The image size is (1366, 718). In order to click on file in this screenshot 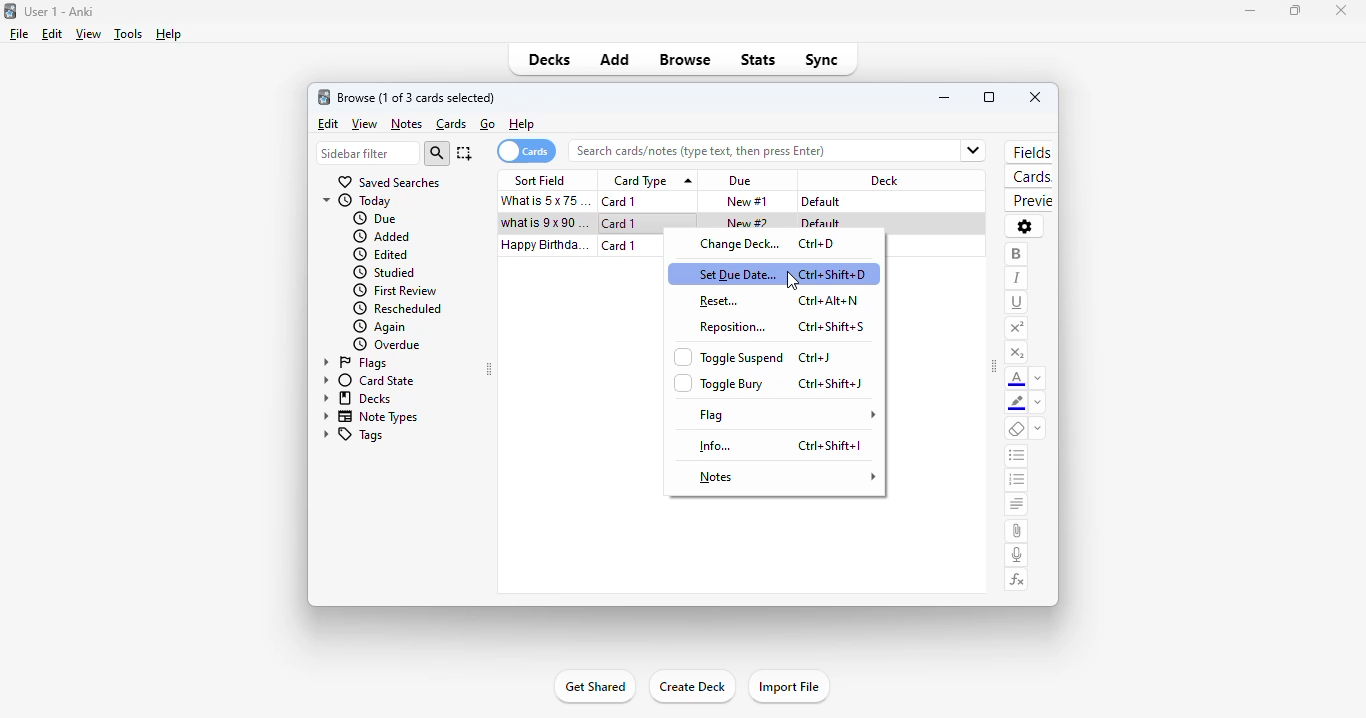, I will do `click(19, 34)`.